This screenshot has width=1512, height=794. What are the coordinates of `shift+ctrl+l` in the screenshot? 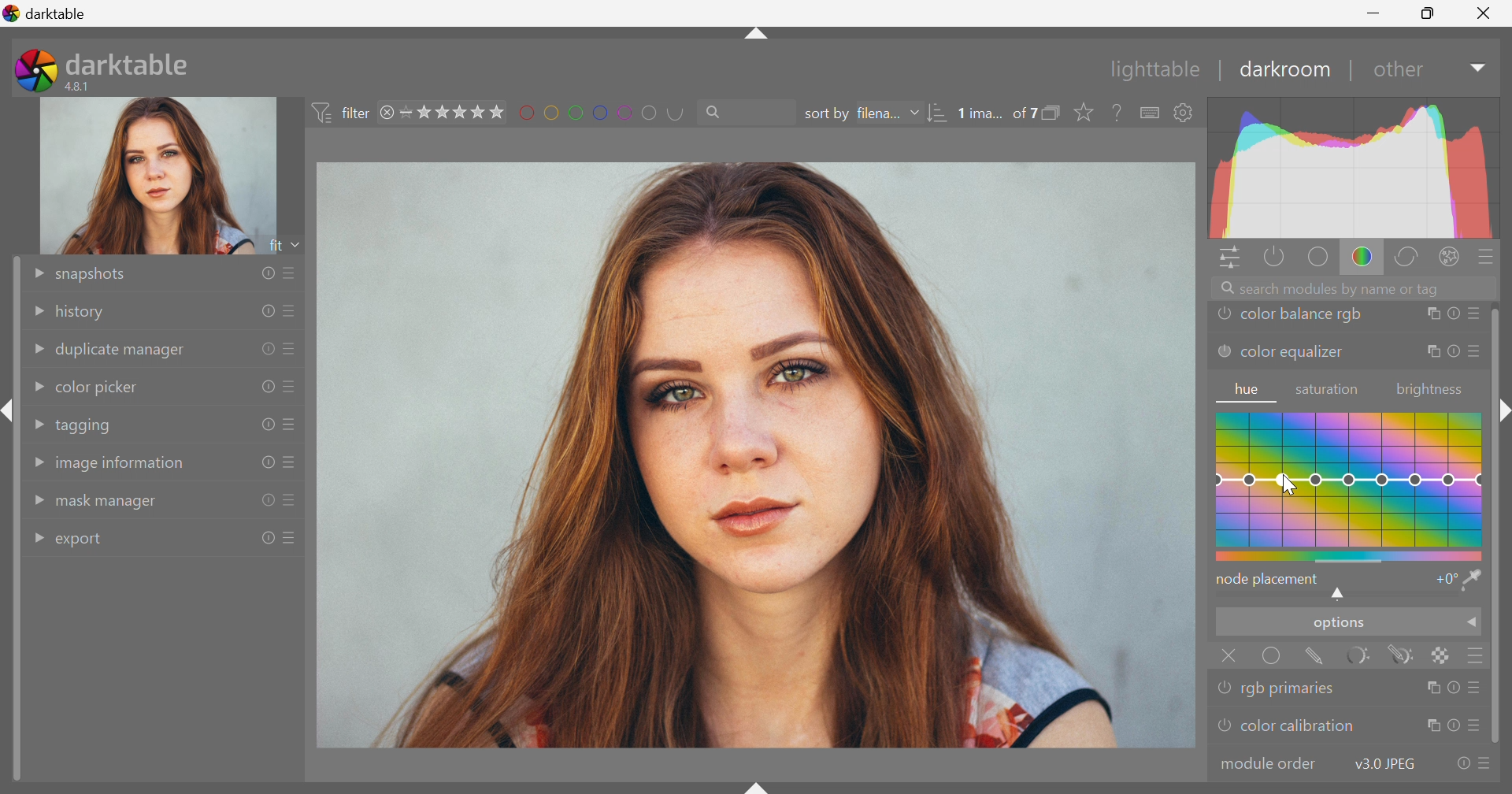 It's located at (9, 410).